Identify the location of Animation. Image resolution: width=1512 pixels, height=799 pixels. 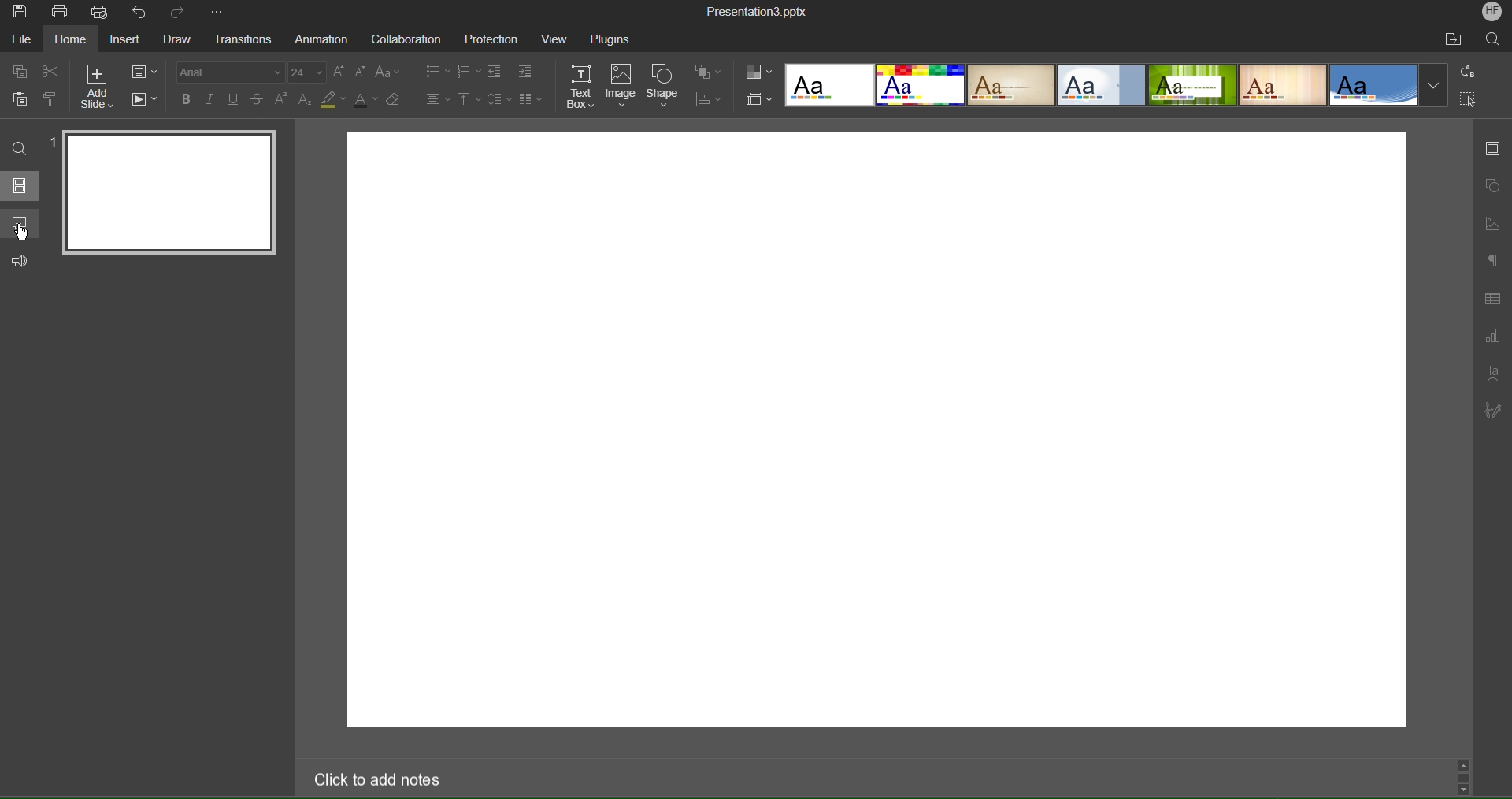
(324, 41).